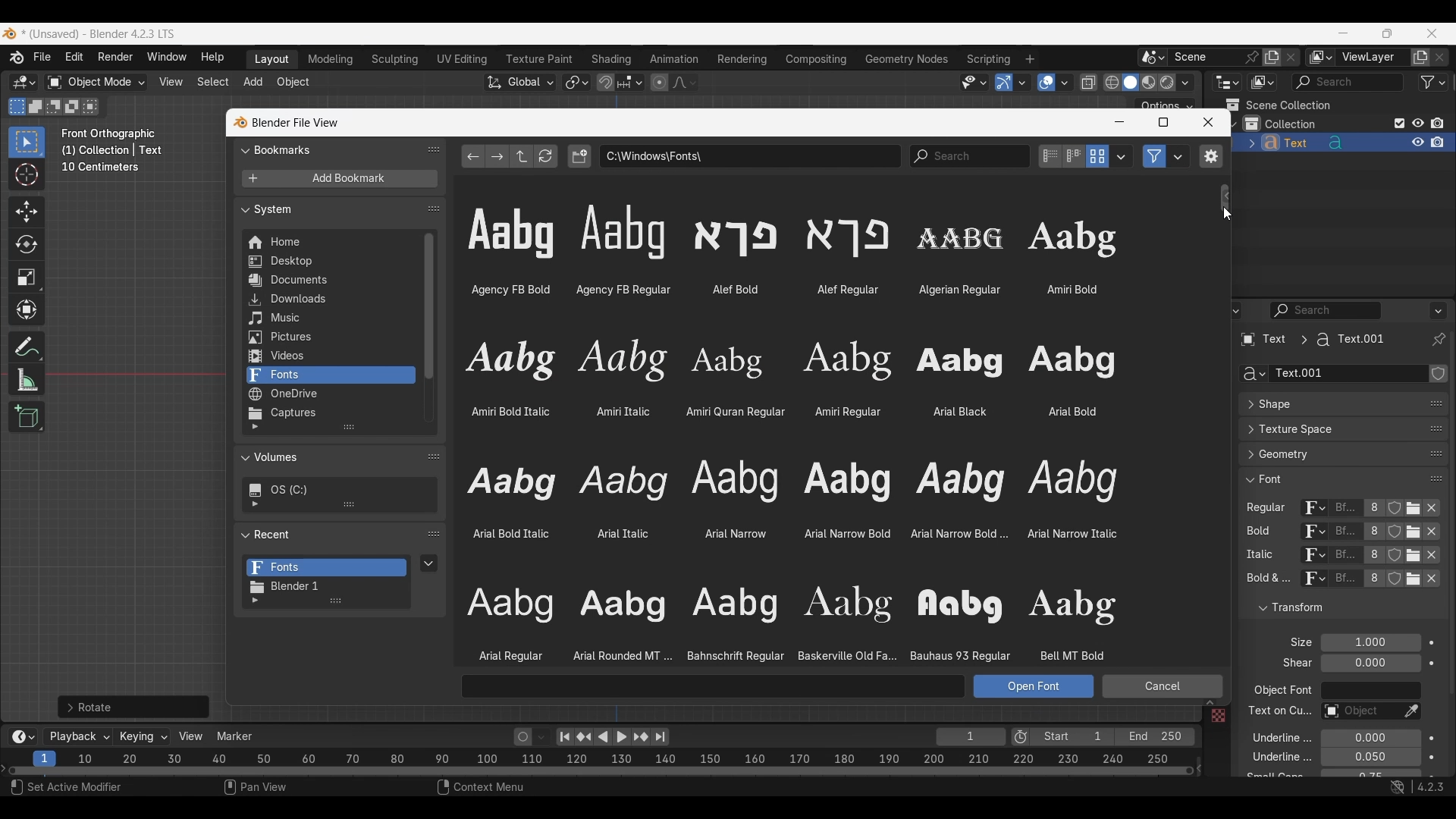 The height and width of the screenshot is (819, 1456). I want to click on Shading, so click(1185, 83).